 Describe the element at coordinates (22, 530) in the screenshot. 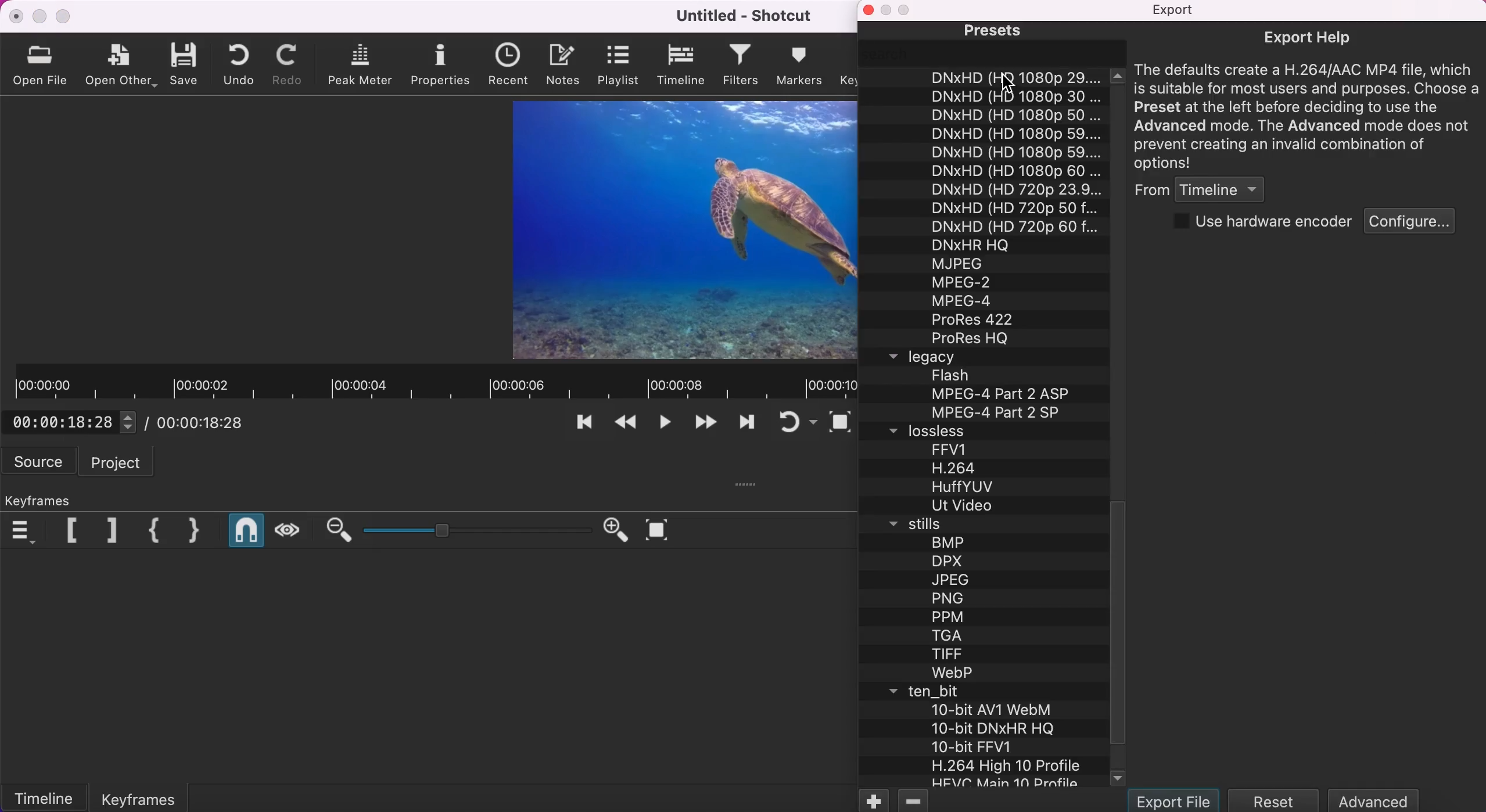

I see `keyframes menu` at that location.